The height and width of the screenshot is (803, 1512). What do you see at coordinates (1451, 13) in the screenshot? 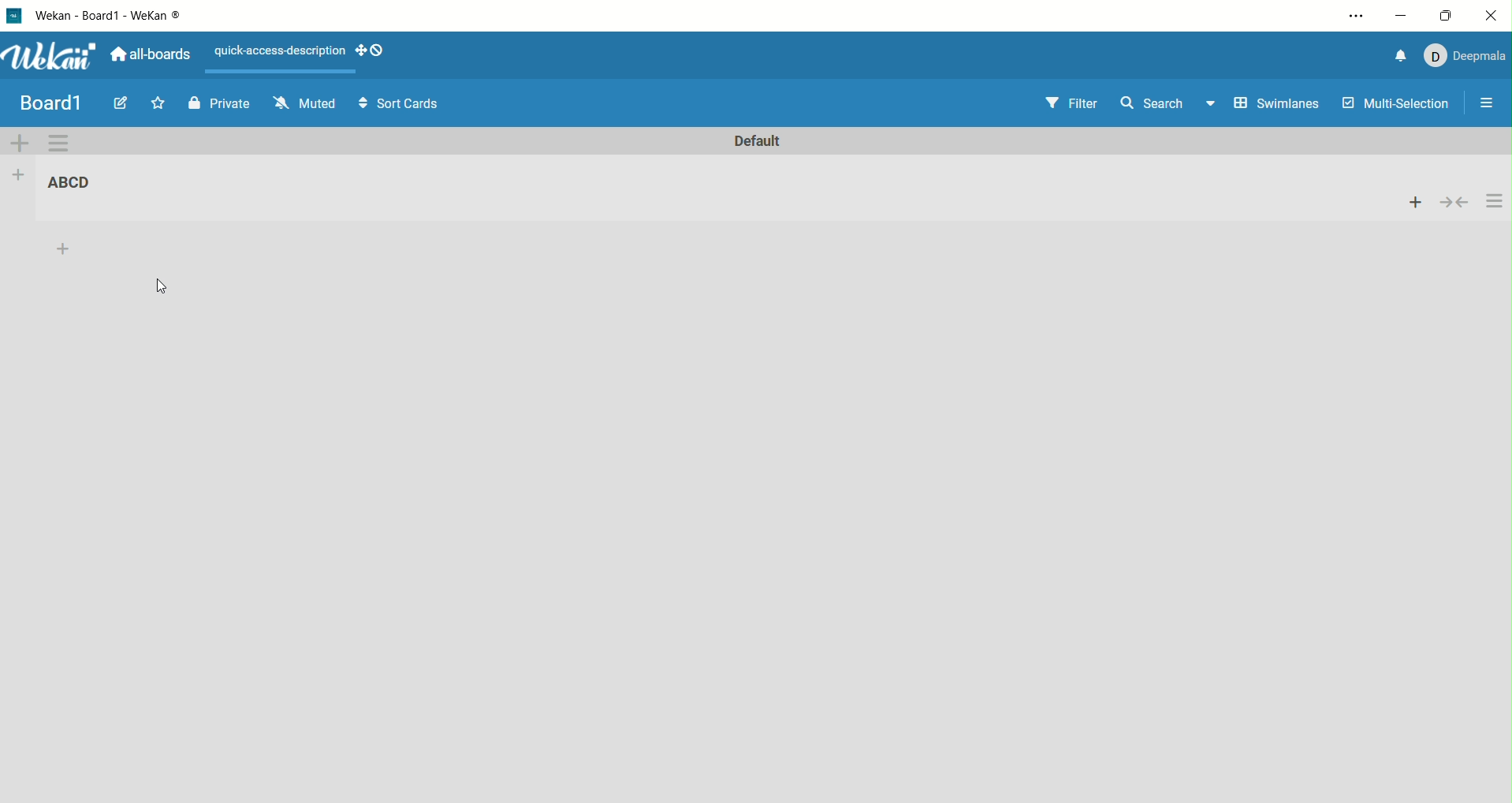
I see `maximize` at bounding box center [1451, 13].